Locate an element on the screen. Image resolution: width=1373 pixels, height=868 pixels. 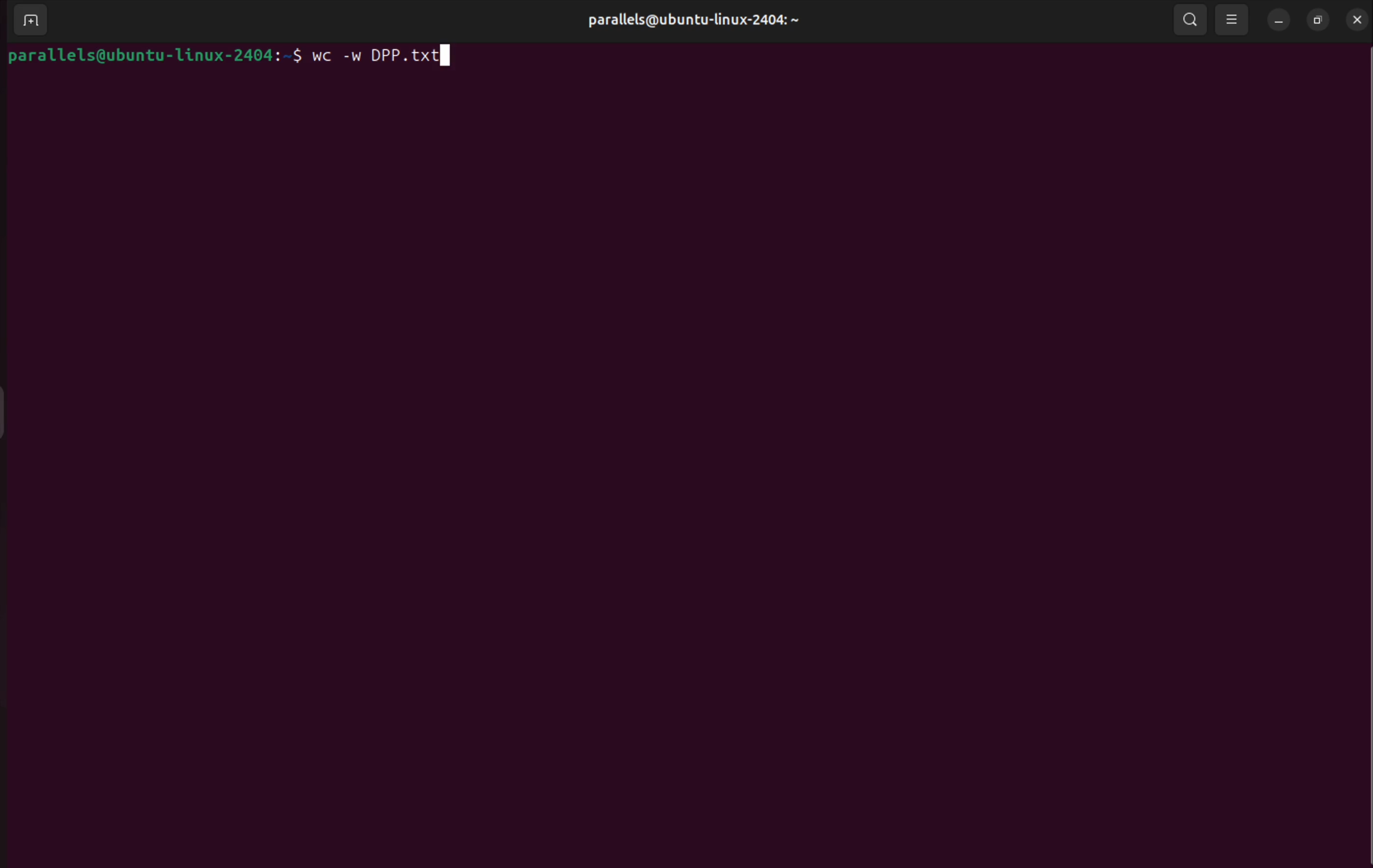
close is located at coordinates (1359, 19).